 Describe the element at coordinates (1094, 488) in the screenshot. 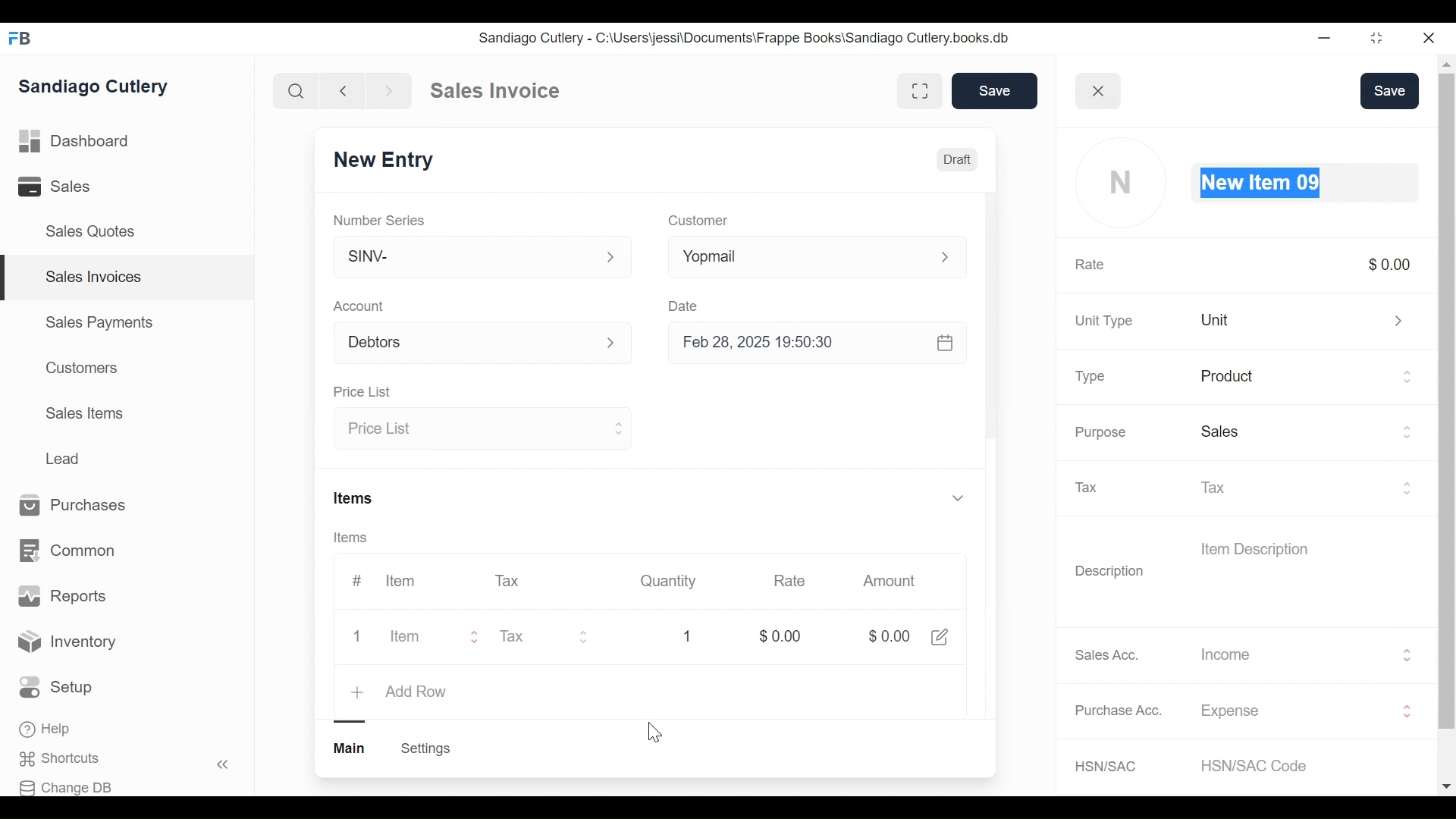

I see `Tax` at that location.